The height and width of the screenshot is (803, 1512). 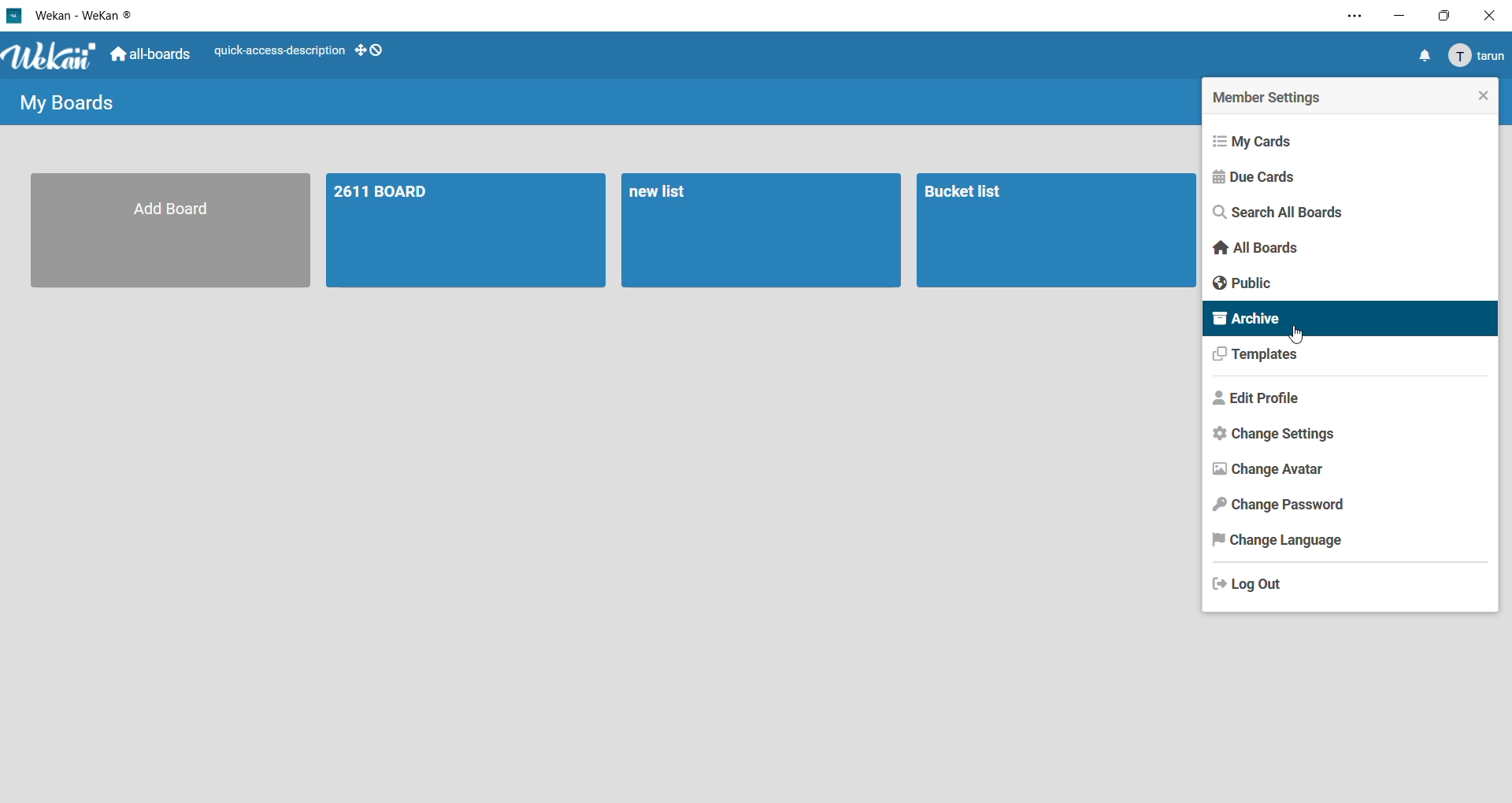 What do you see at coordinates (89, 13) in the screenshot?
I see `wekan-wekan` at bounding box center [89, 13].